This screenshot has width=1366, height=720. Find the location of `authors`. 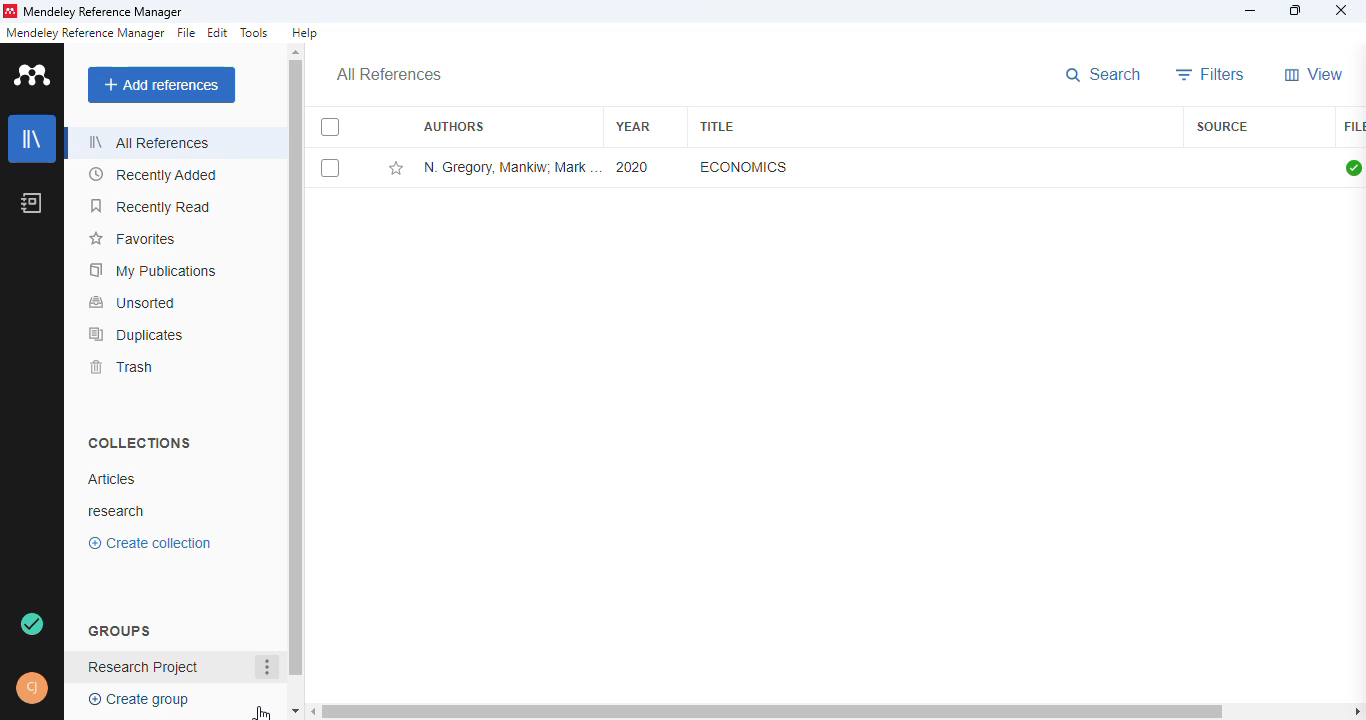

authors is located at coordinates (454, 126).